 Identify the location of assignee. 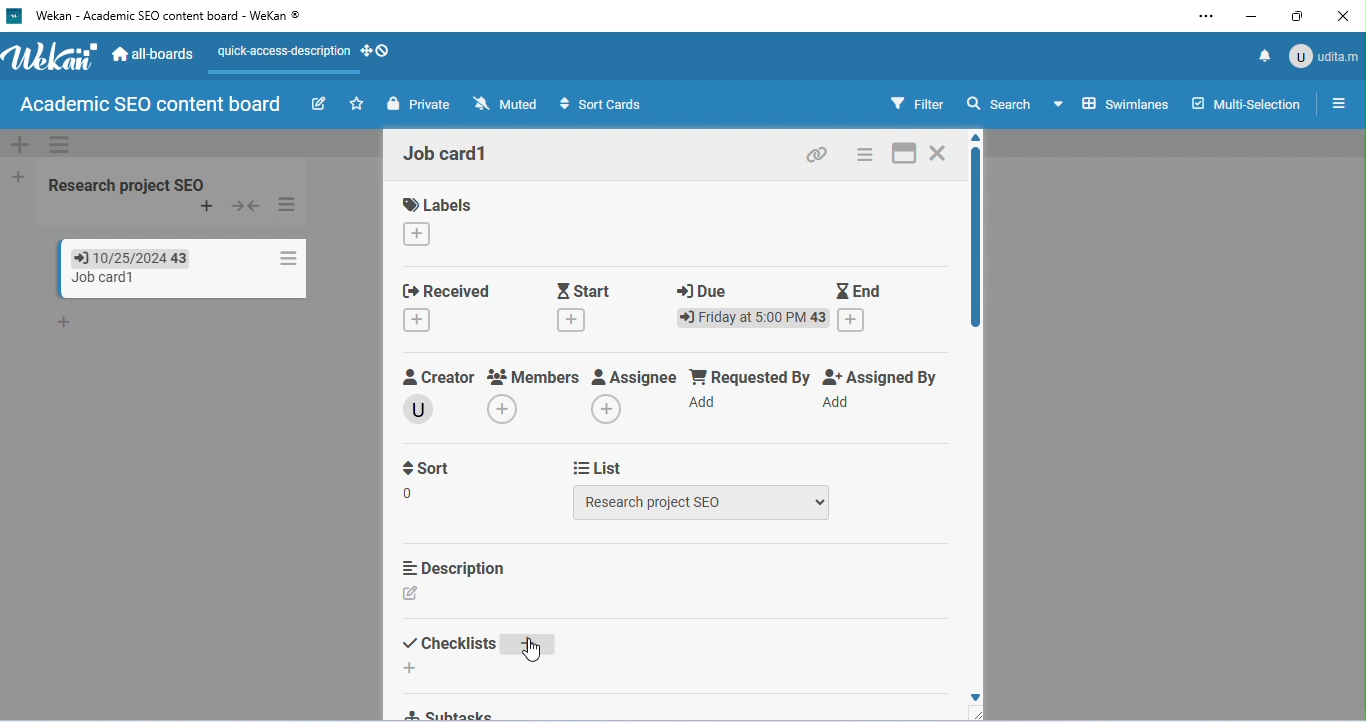
(635, 378).